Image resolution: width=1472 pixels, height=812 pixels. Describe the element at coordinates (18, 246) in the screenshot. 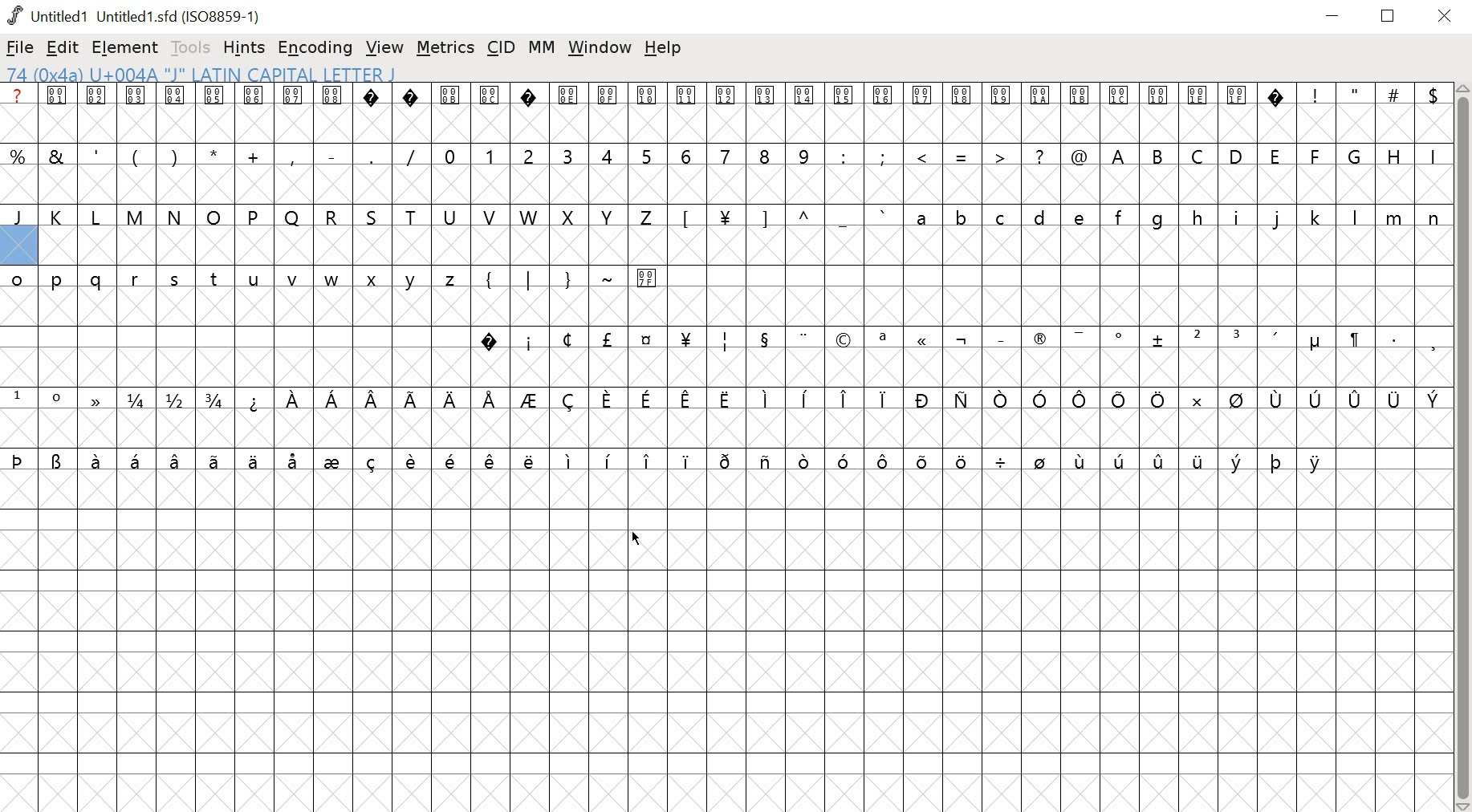

I see `selected glyph slot` at that location.